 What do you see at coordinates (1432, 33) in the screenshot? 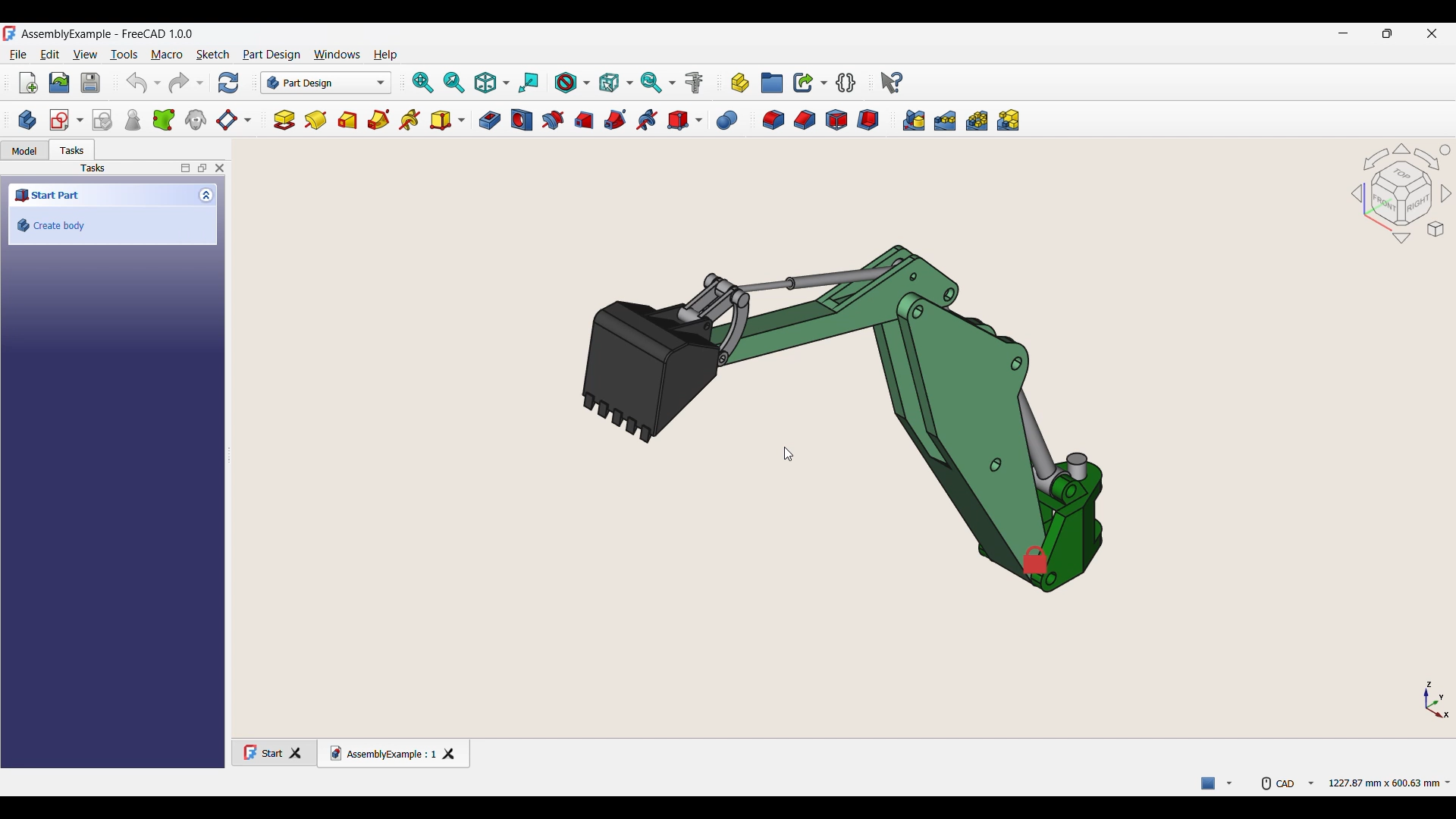
I see `Close interface` at bounding box center [1432, 33].